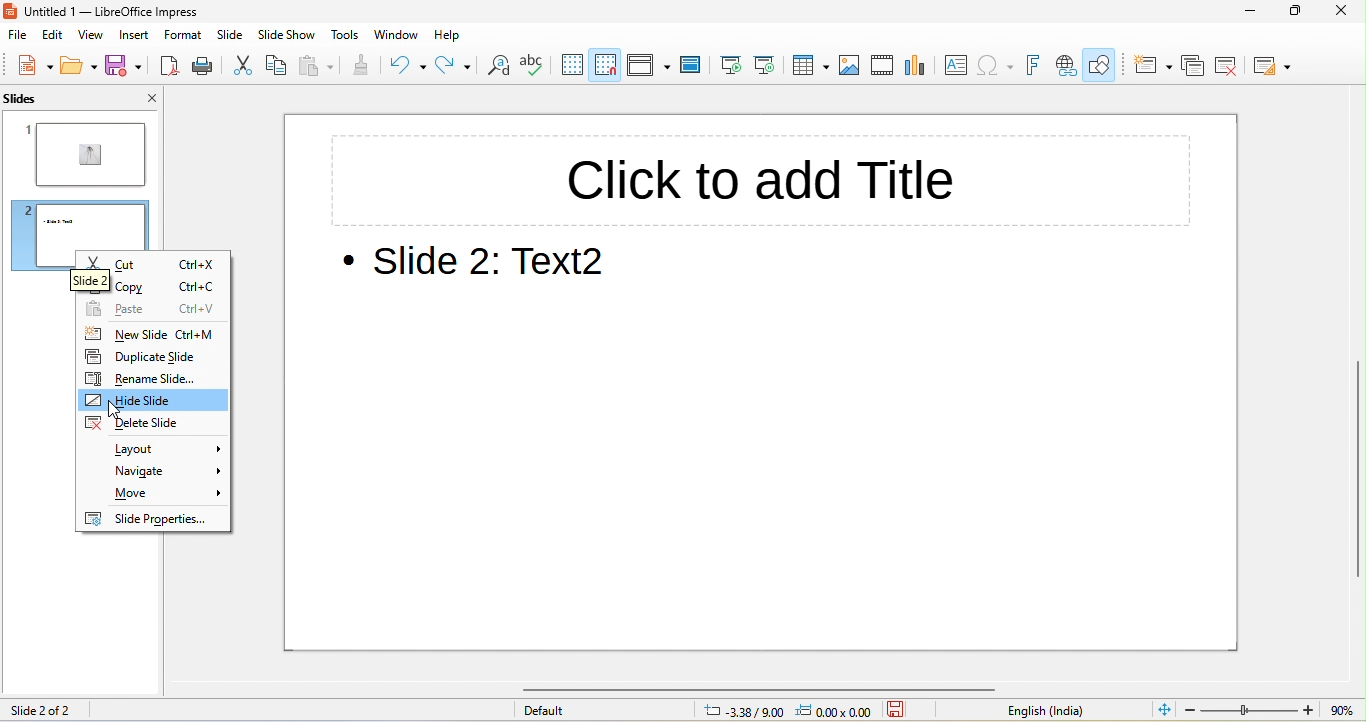 This screenshot has height=722, width=1366. I want to click on navigator, so click(152, 470).